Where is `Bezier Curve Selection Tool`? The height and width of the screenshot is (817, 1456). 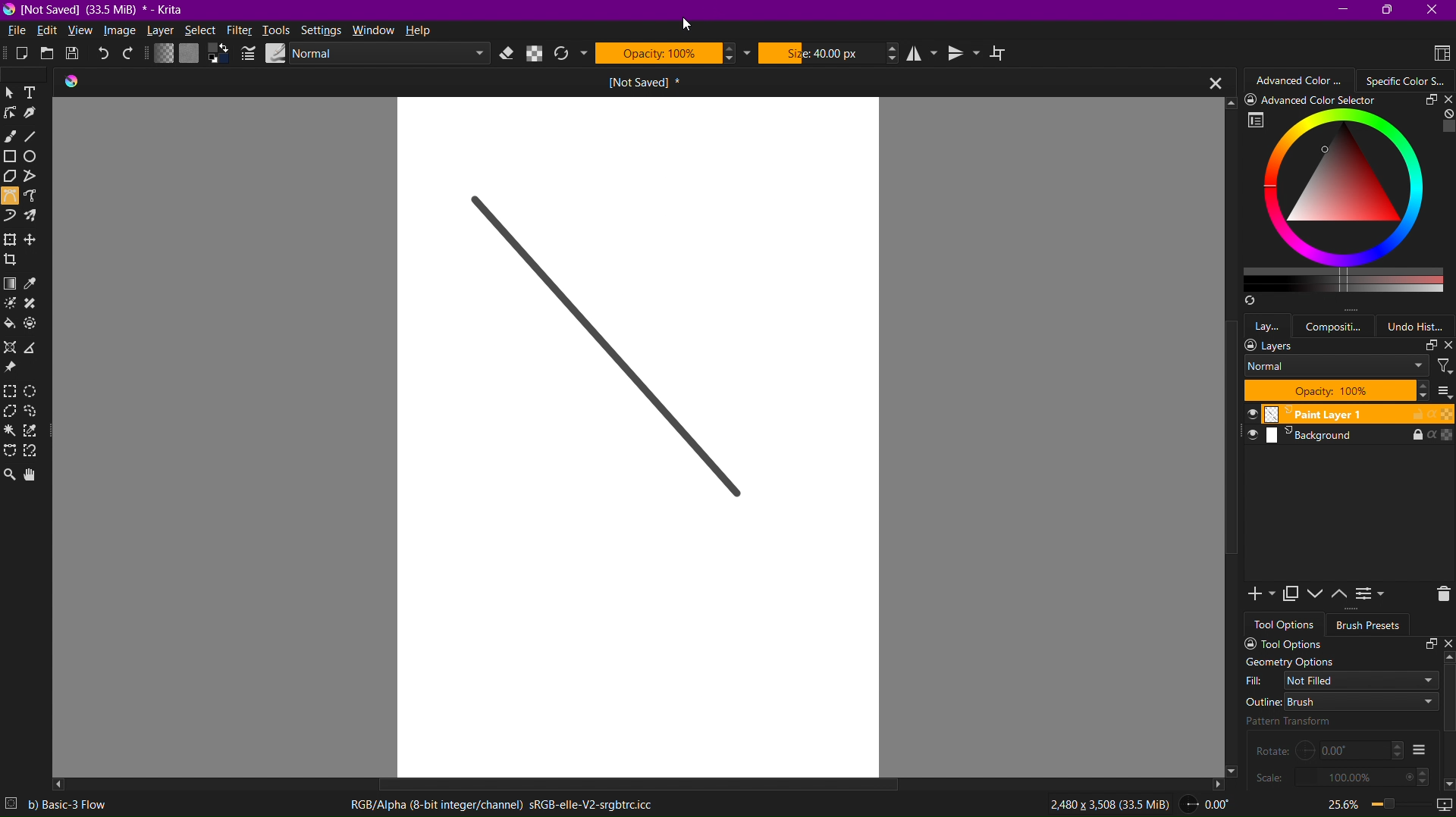
Bezier Curve Selection Tool is located at coordinates (11, 452).